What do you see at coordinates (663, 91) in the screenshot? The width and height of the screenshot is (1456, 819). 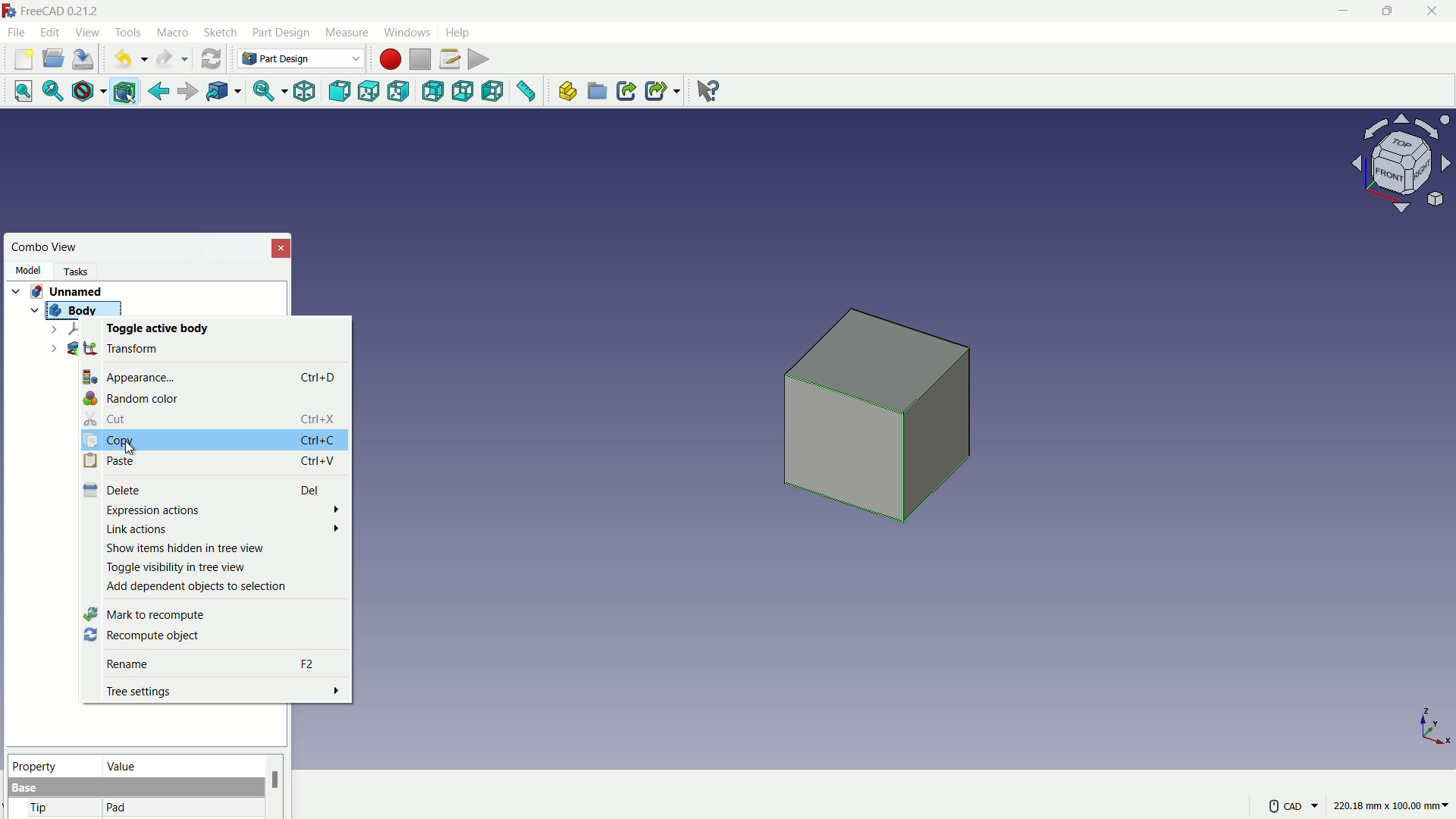 I see `make sublink` at bounding box center [663, 91].